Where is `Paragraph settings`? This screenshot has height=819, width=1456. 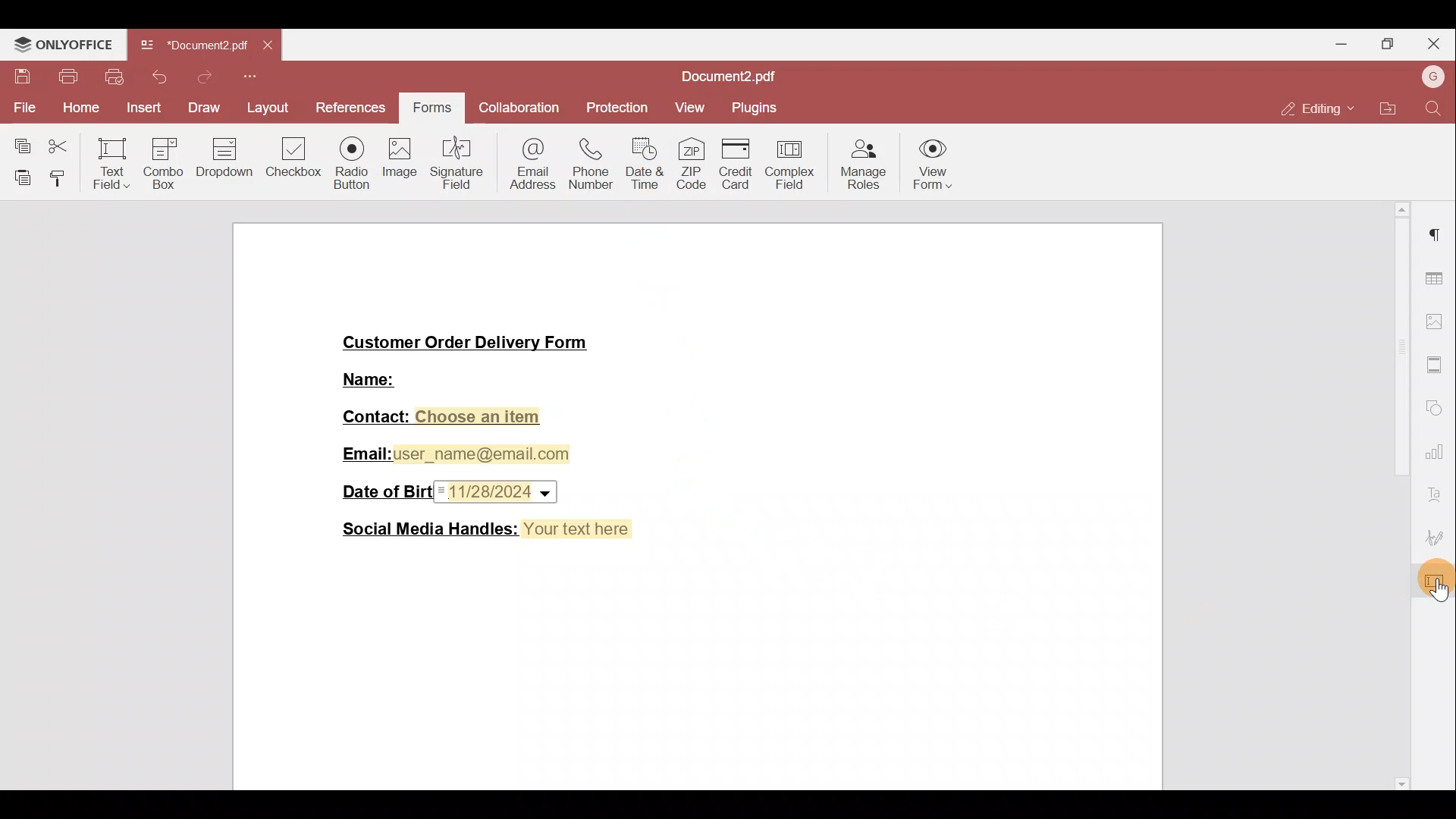 Paragraph settings is located at coordinates (1439, 234).